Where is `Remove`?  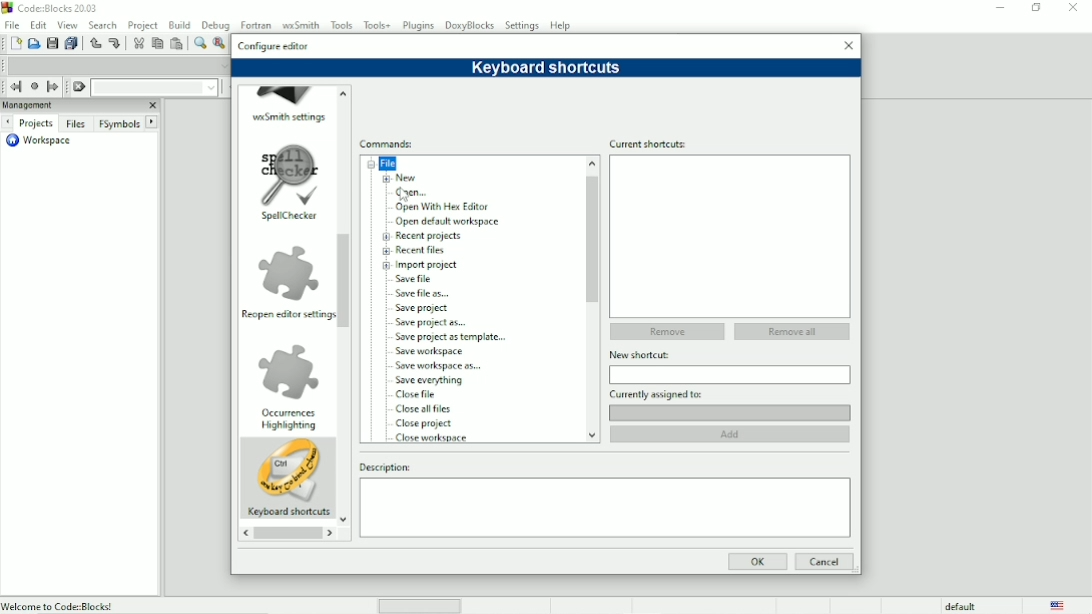 Remove is located at coordinates (665, 332).